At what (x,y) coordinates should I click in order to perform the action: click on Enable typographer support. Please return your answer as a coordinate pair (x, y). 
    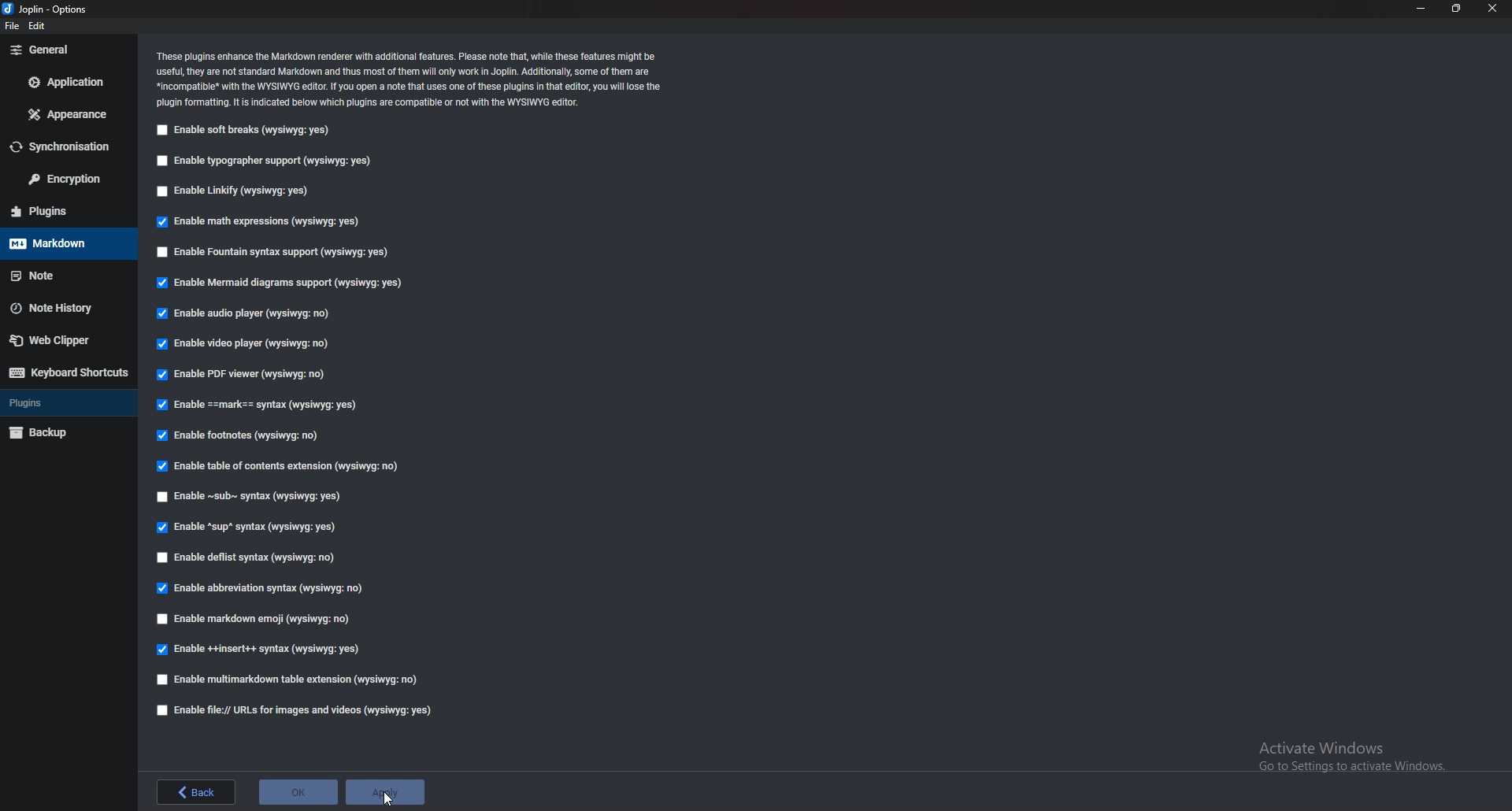
    Looking at the image, I should click on (264, 161).